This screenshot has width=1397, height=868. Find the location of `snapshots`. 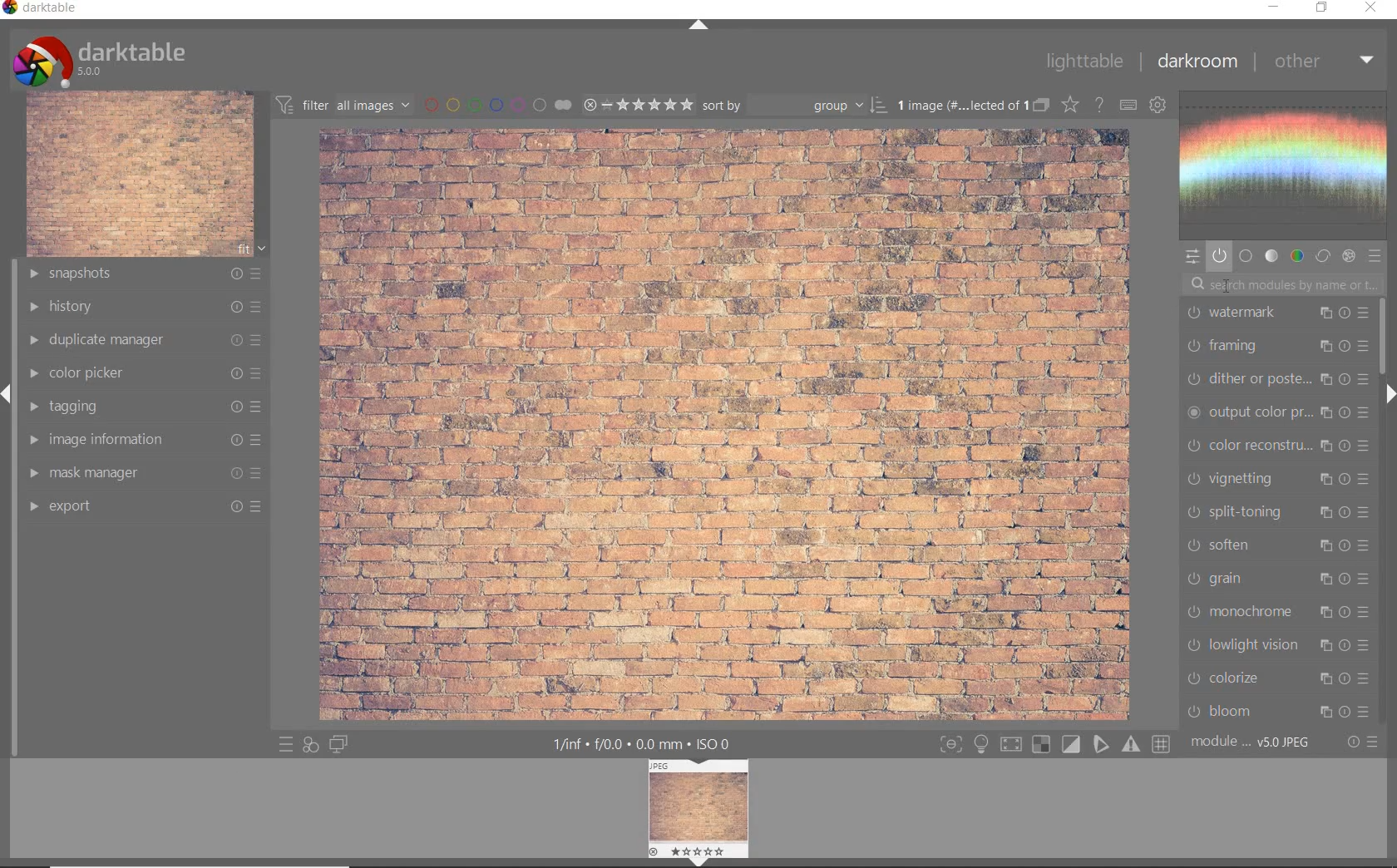

snapshots is located at coordinates (146, 274).